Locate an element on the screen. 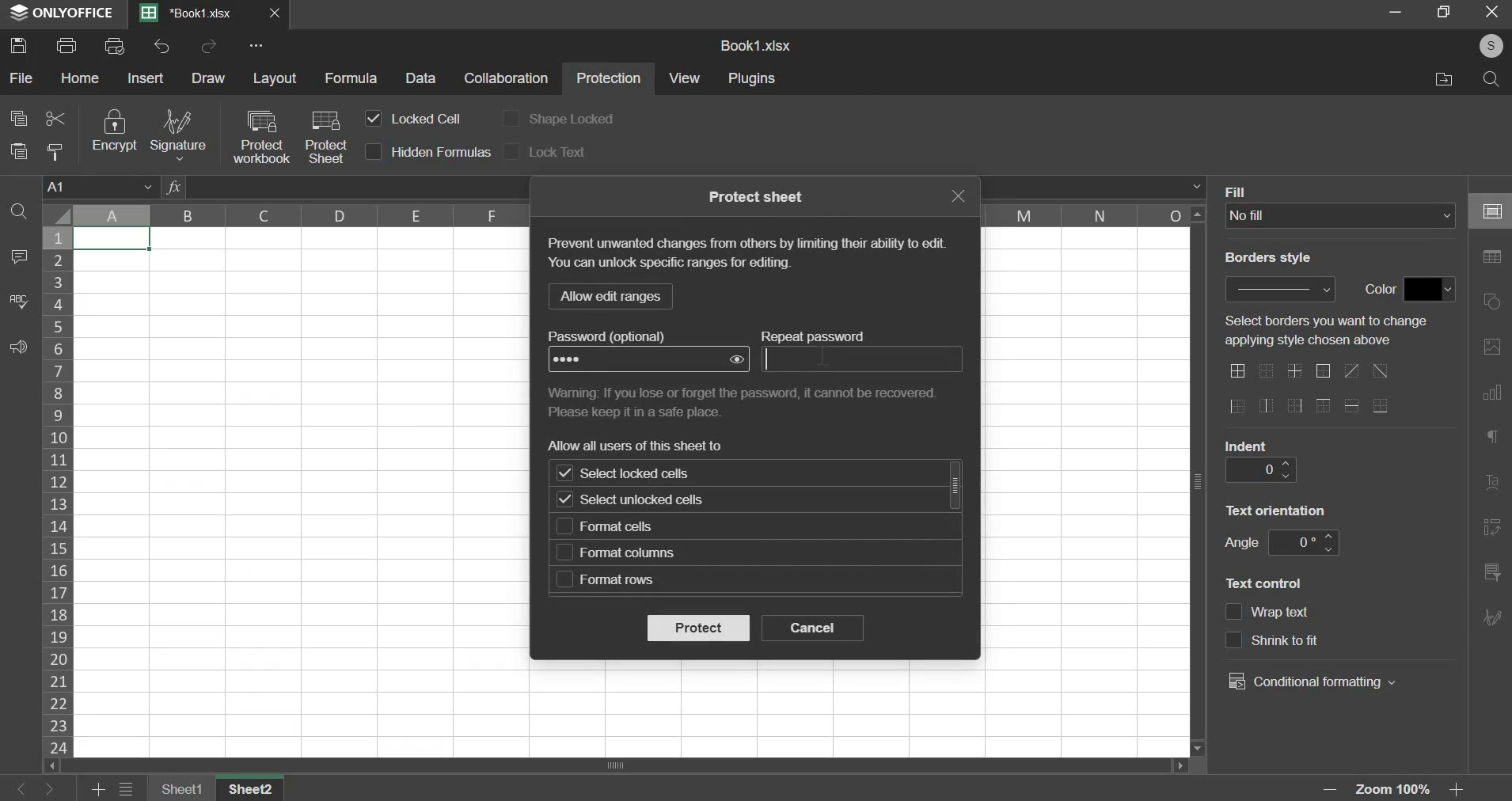 Image resolution: width=1512 pixels, height=801 pixels. copy style is located at coordinates (57, 152).